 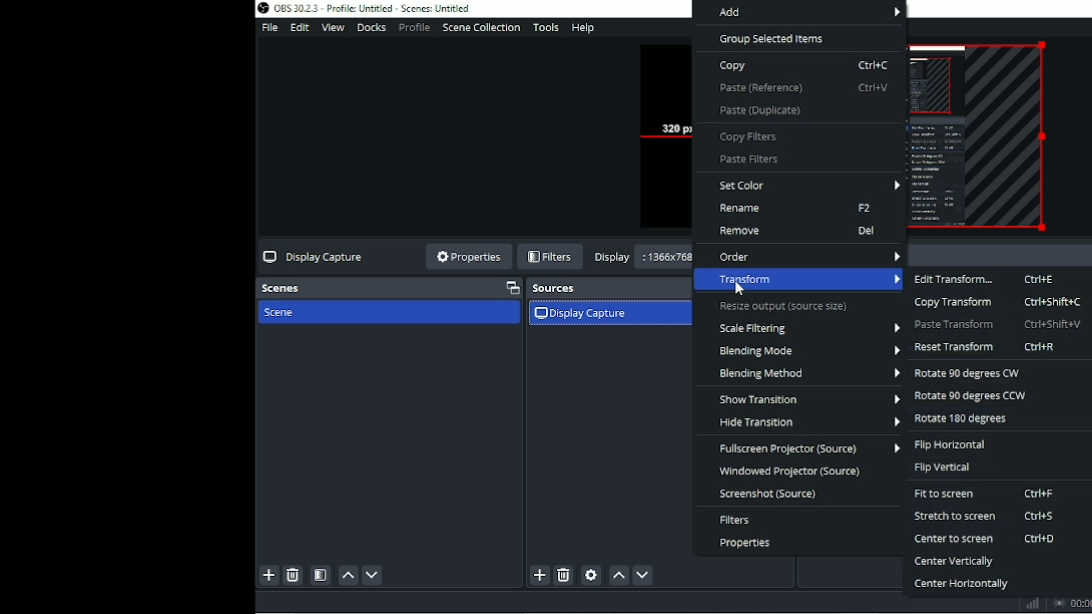 What do you see at coordinates (755, 543) in the screenshot?
I see `Properties` at bounding box center [755, 543].